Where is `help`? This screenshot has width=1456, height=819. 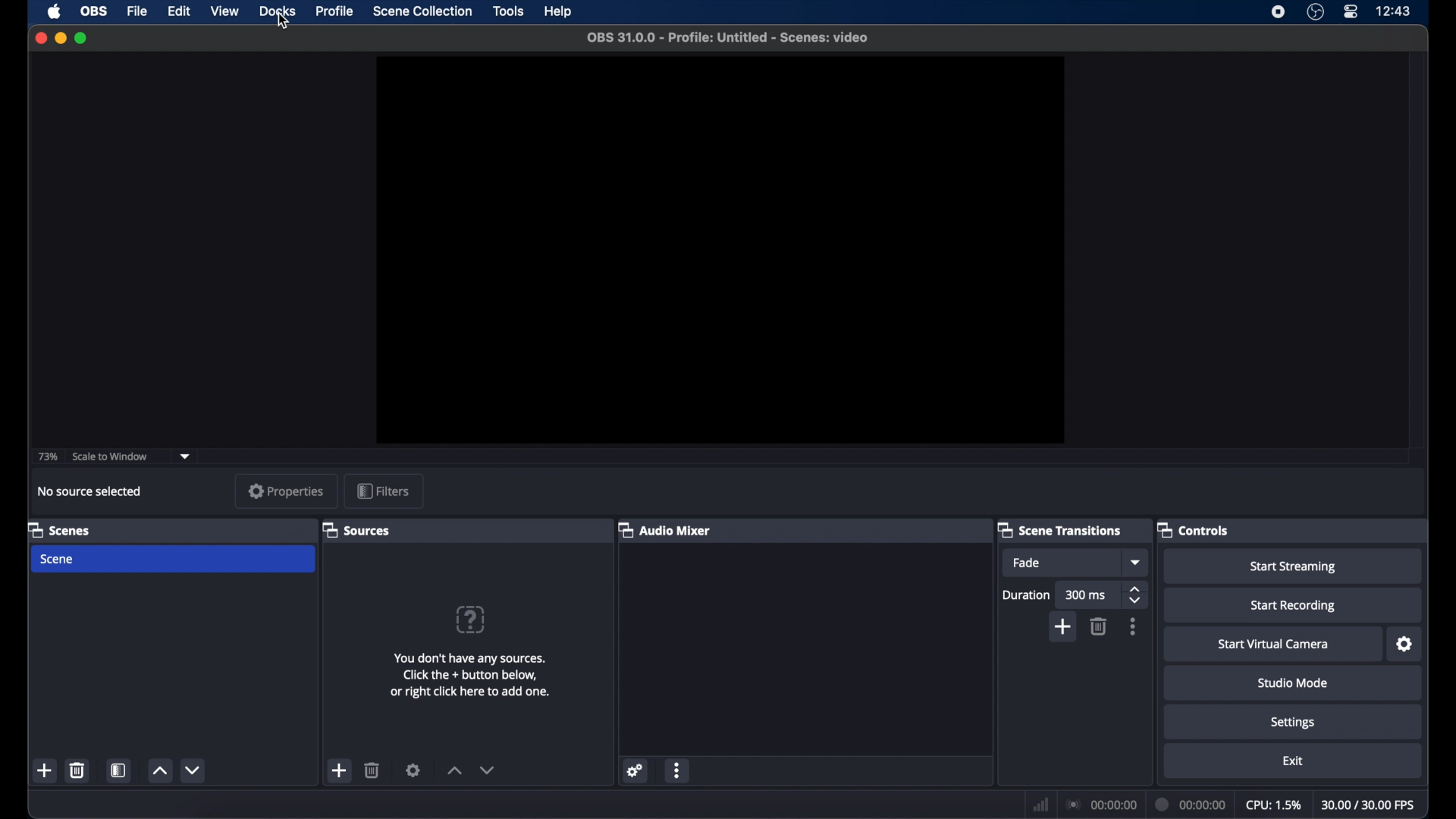 help is located at coordinates (557, 11).